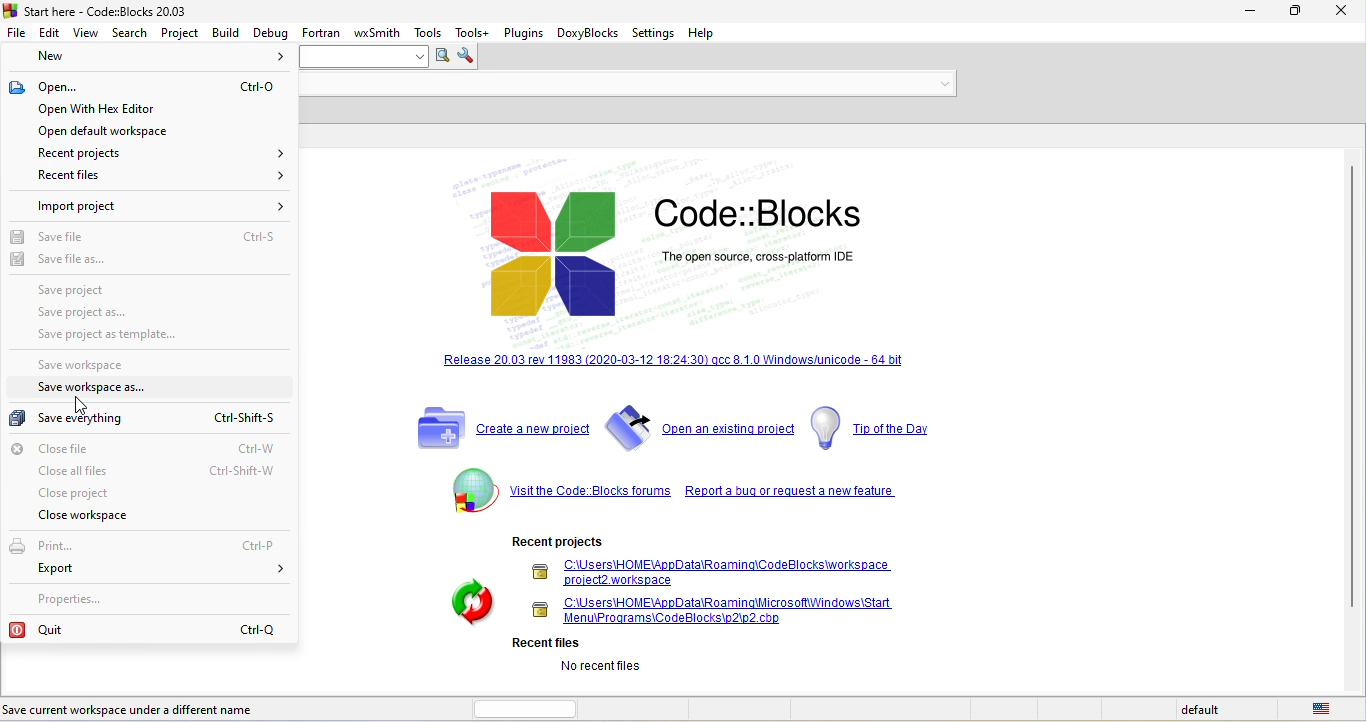  I want to click on close project, so click(83, 493).